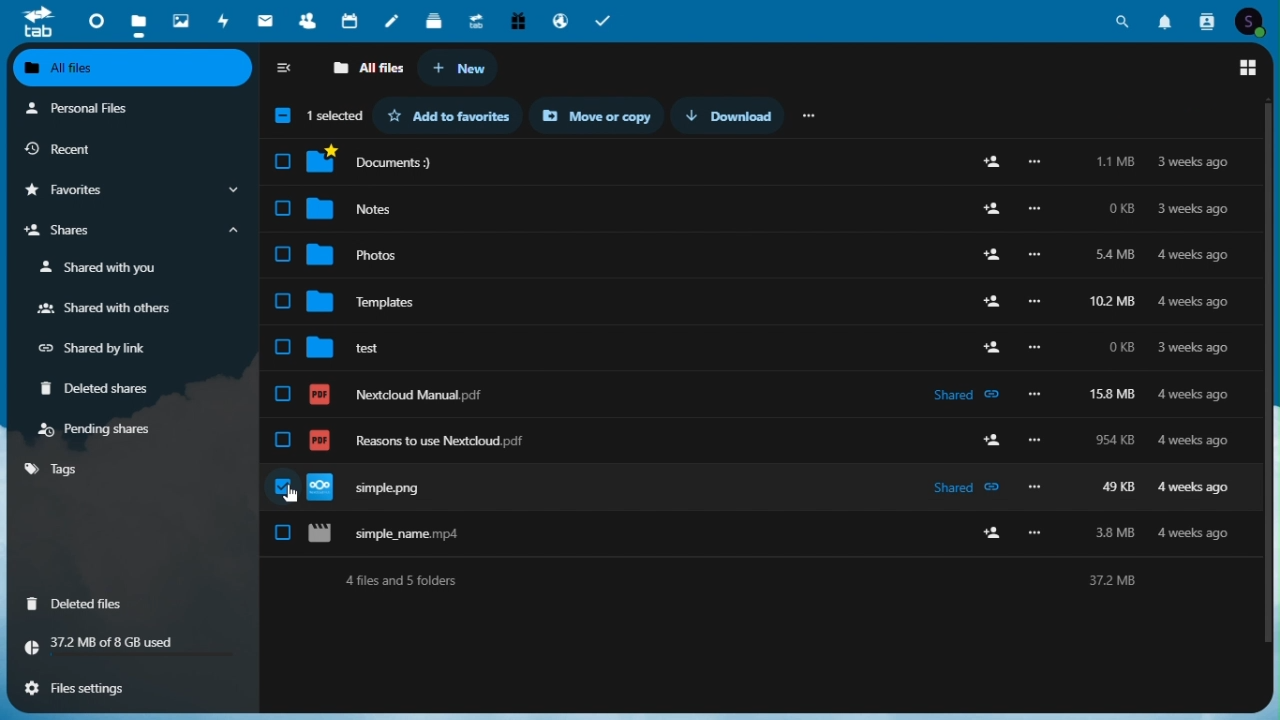  I want to click on NextcloudManual.pdf 158 MB 4 weeks ago, so click(763, 385).